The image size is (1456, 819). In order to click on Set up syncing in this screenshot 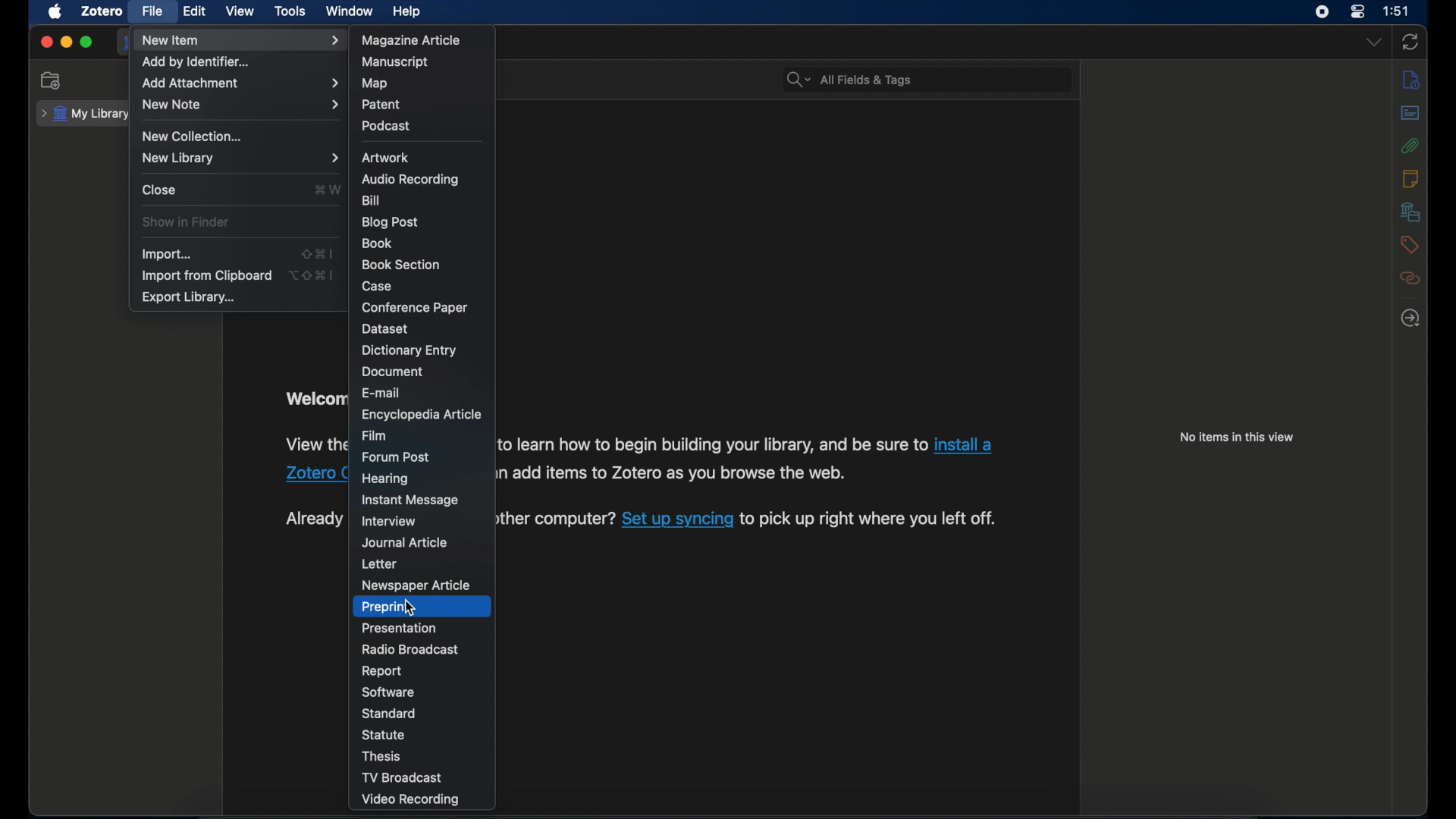, I will do `click(678, 518)`.